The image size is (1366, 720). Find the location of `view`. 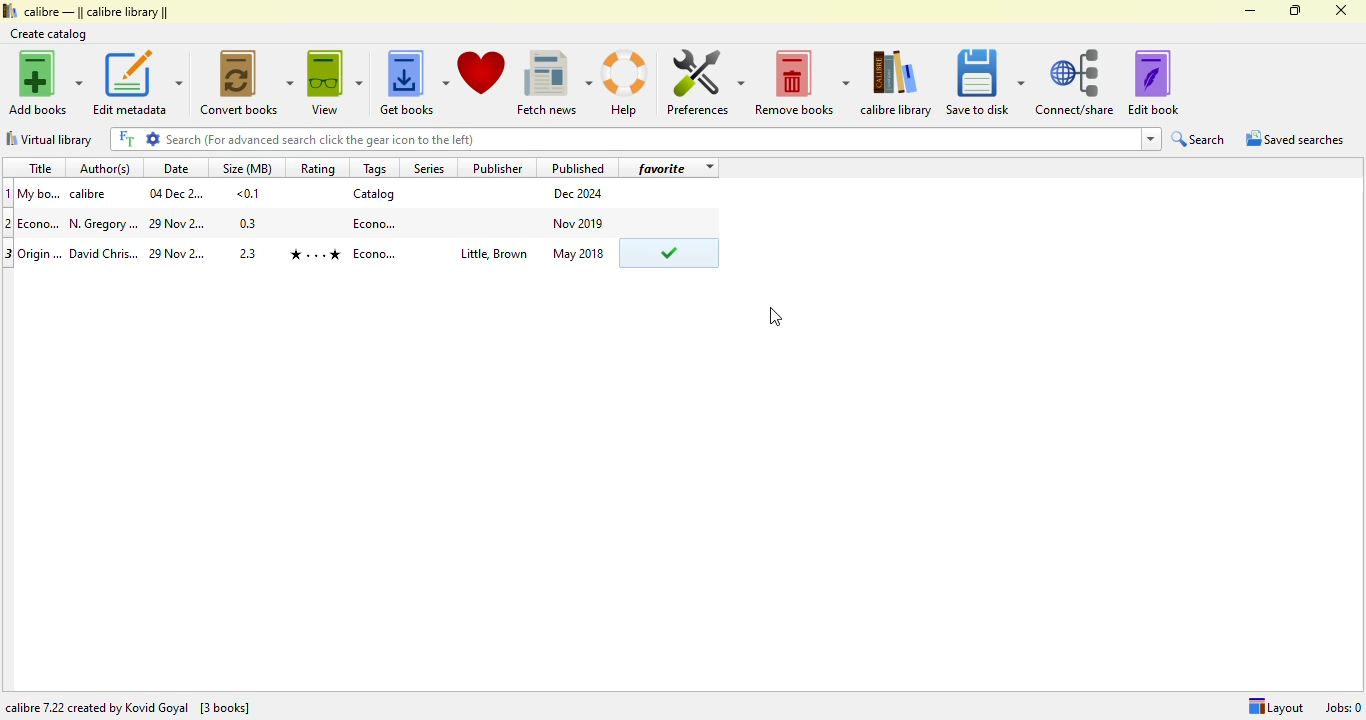

view is located at coordinates (335, 82).